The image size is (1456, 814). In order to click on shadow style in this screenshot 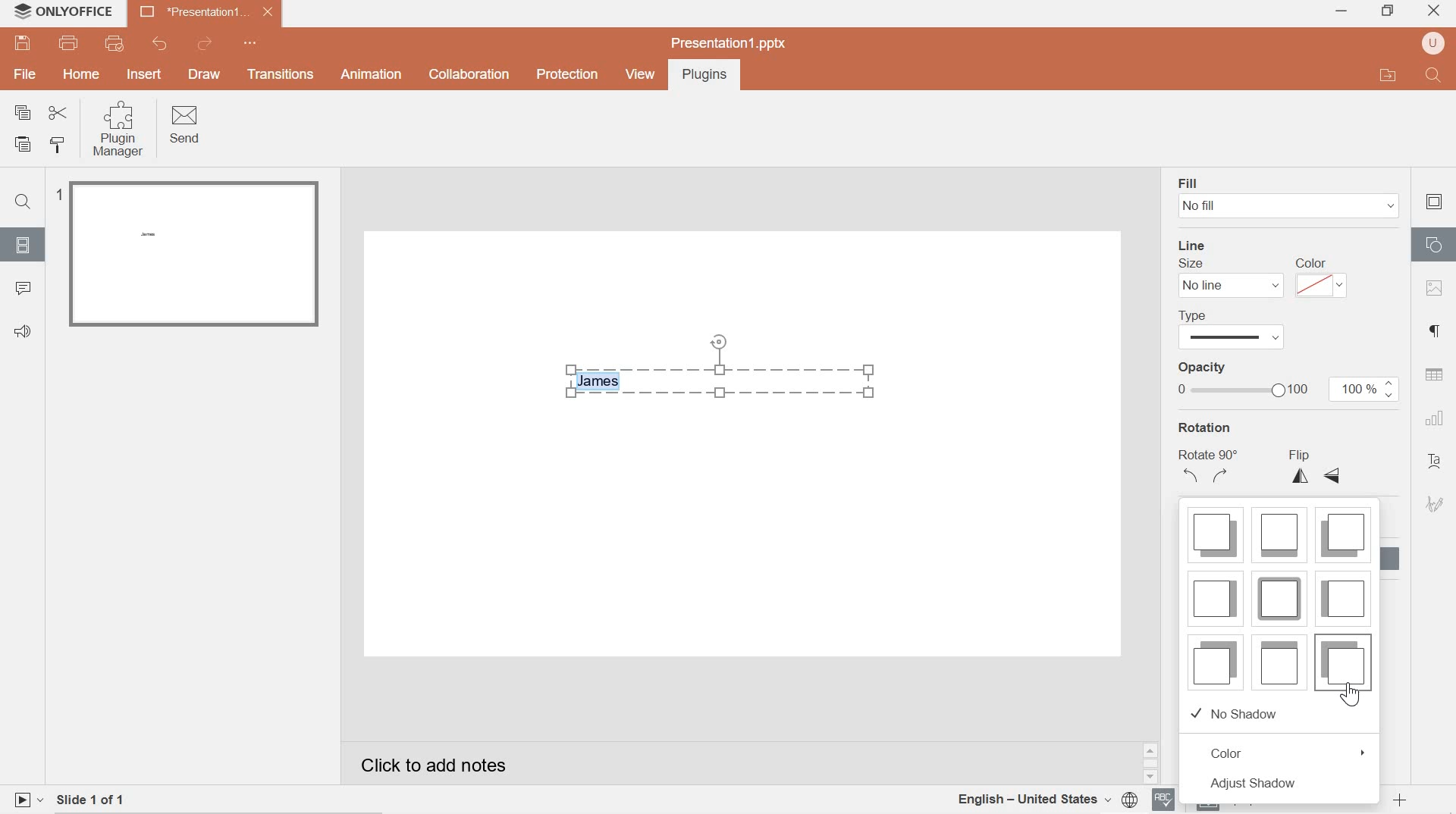, I will do `click(1280, 662)`.